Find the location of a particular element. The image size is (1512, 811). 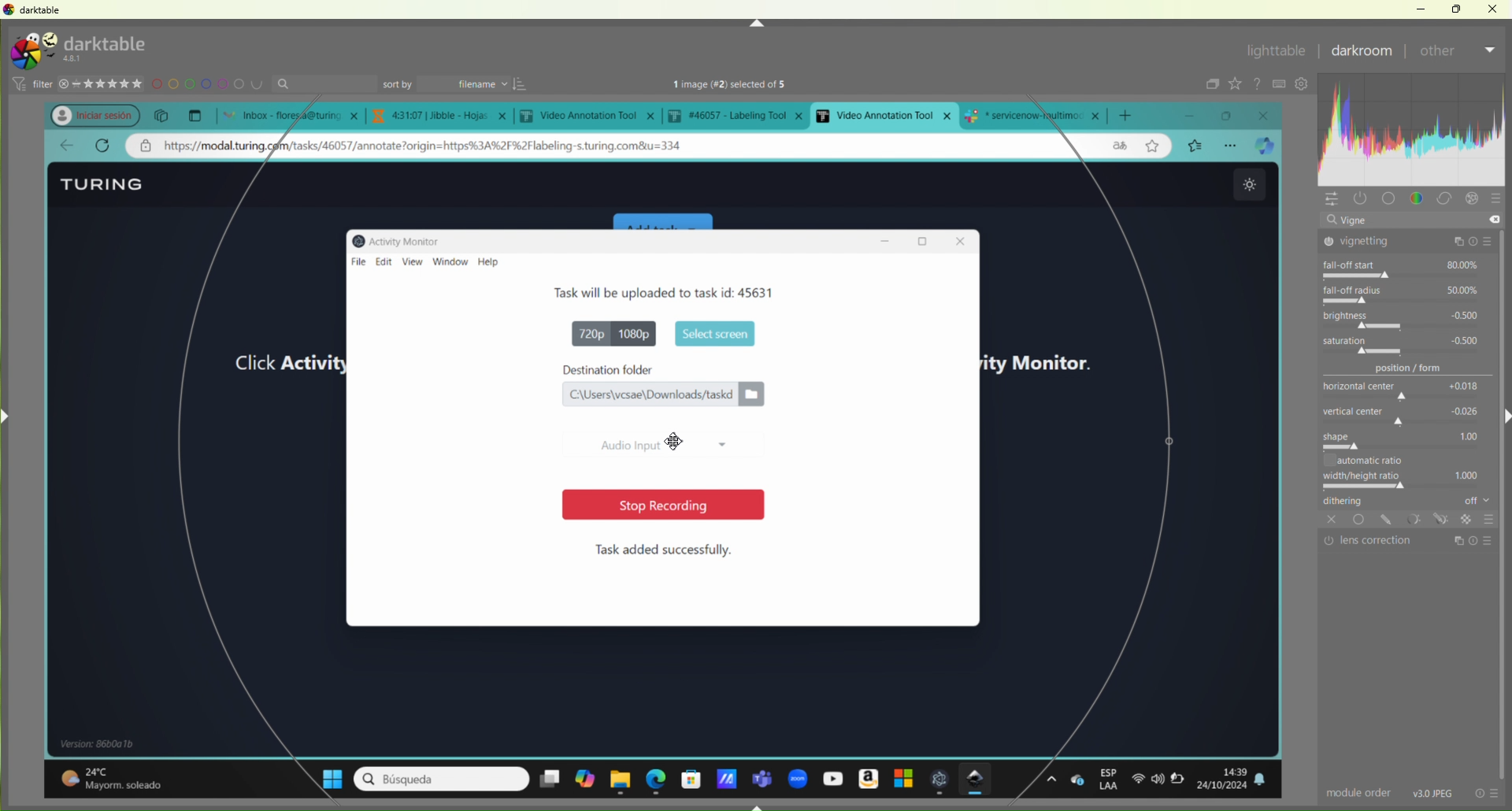

zoom is located at coordinates (797, 776).